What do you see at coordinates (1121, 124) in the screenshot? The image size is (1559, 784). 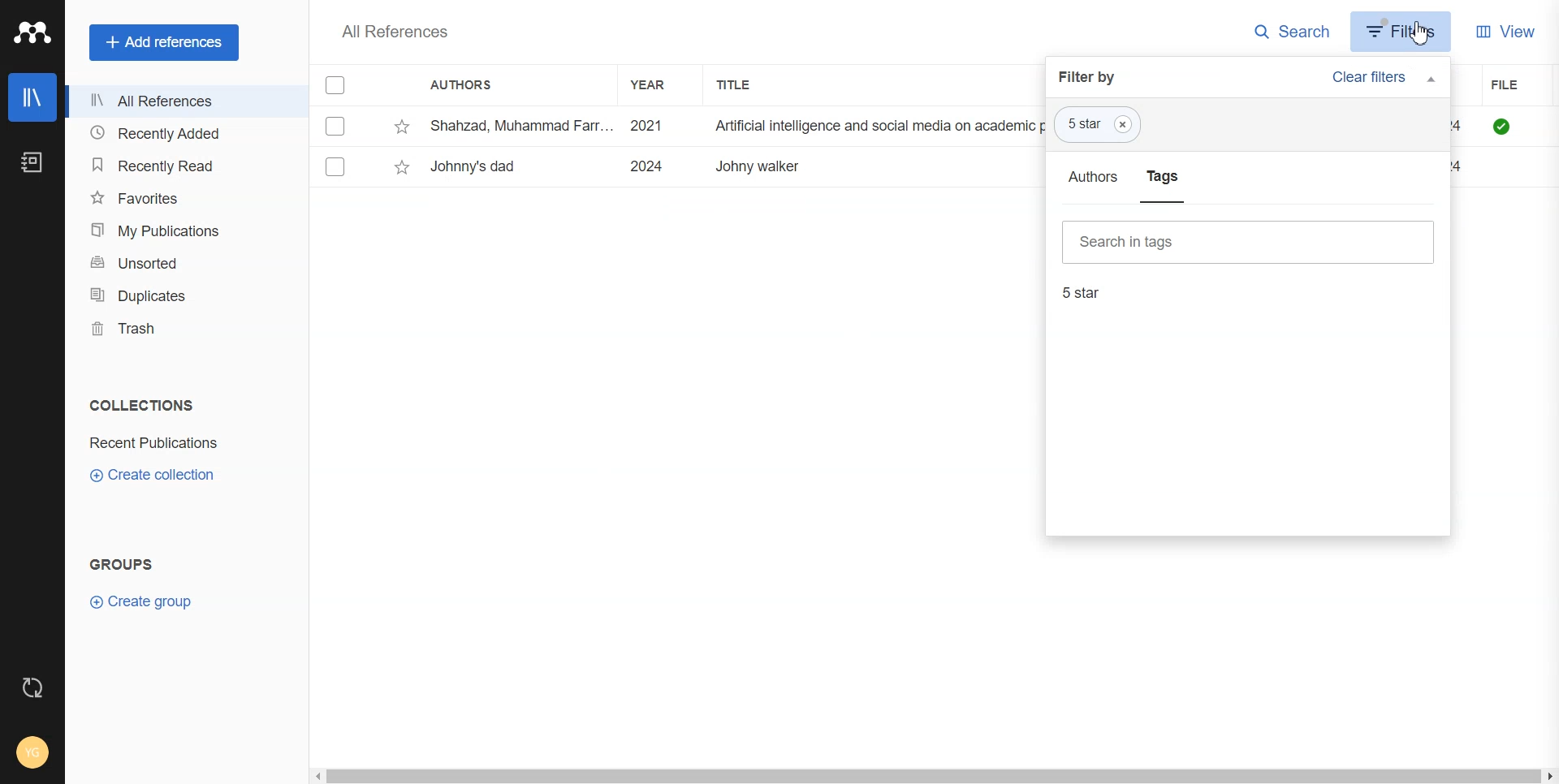 I see `Close tag` at bounding box center [1121, 124].